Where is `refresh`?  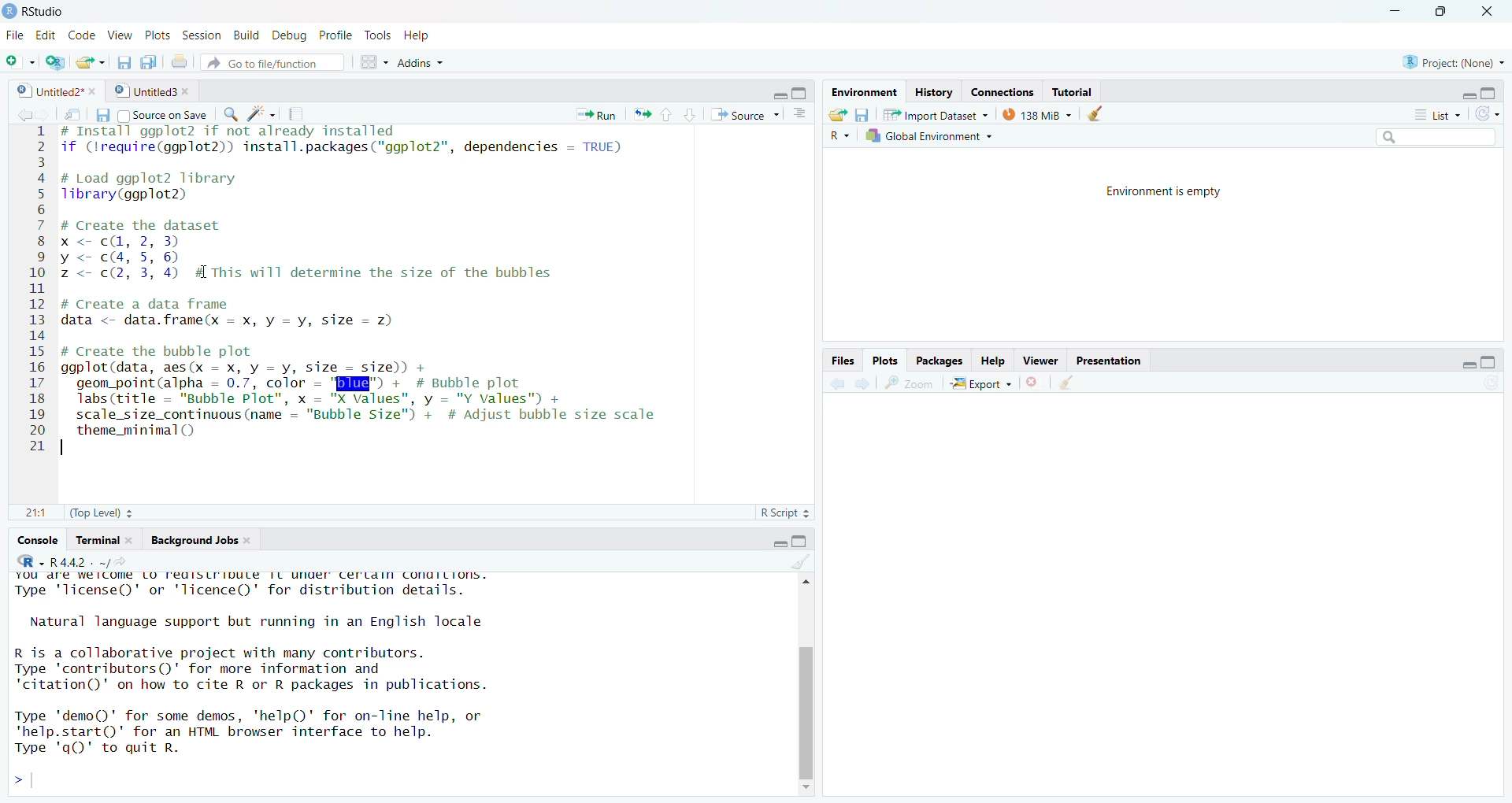 refresh is located at coordinates (1492, 113).